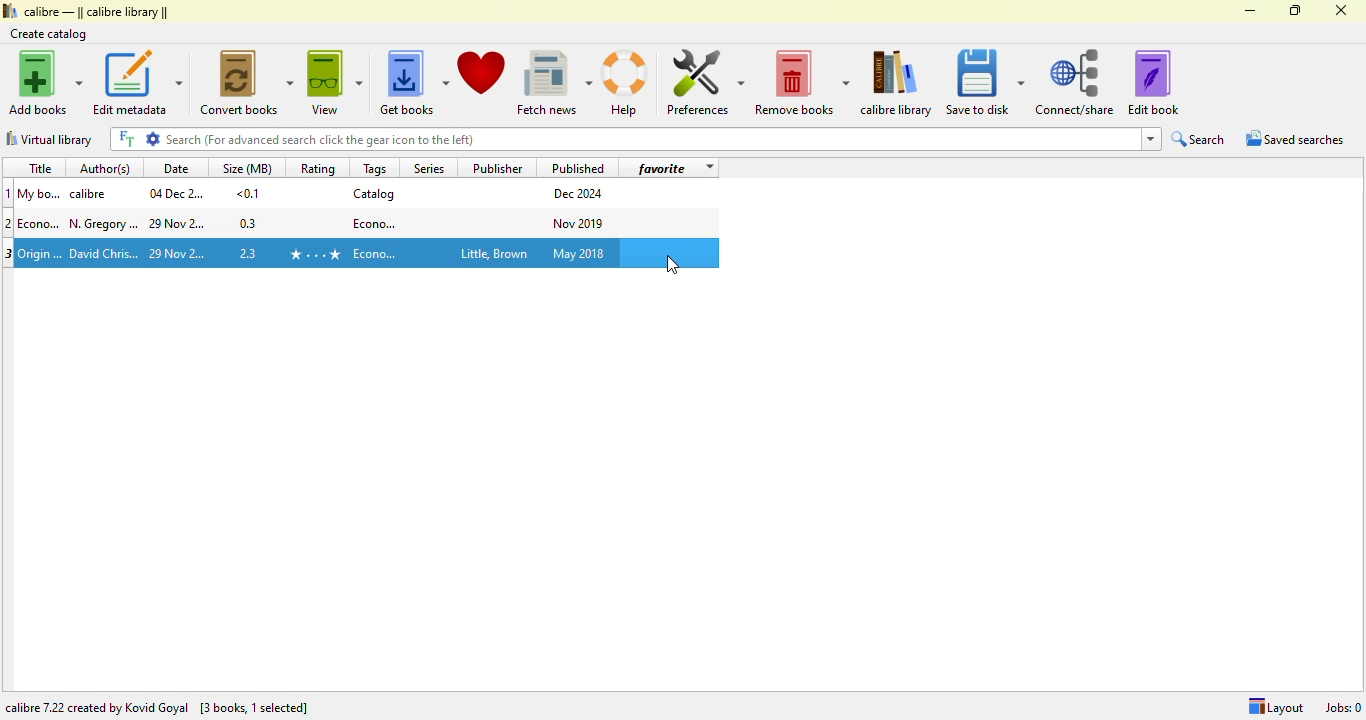 This screenshot has height=720, width=1366. What do you see at coordinates (1343, 707) in the screenshot?
I see `jobs: 0` at bounding box center [1343, 707].